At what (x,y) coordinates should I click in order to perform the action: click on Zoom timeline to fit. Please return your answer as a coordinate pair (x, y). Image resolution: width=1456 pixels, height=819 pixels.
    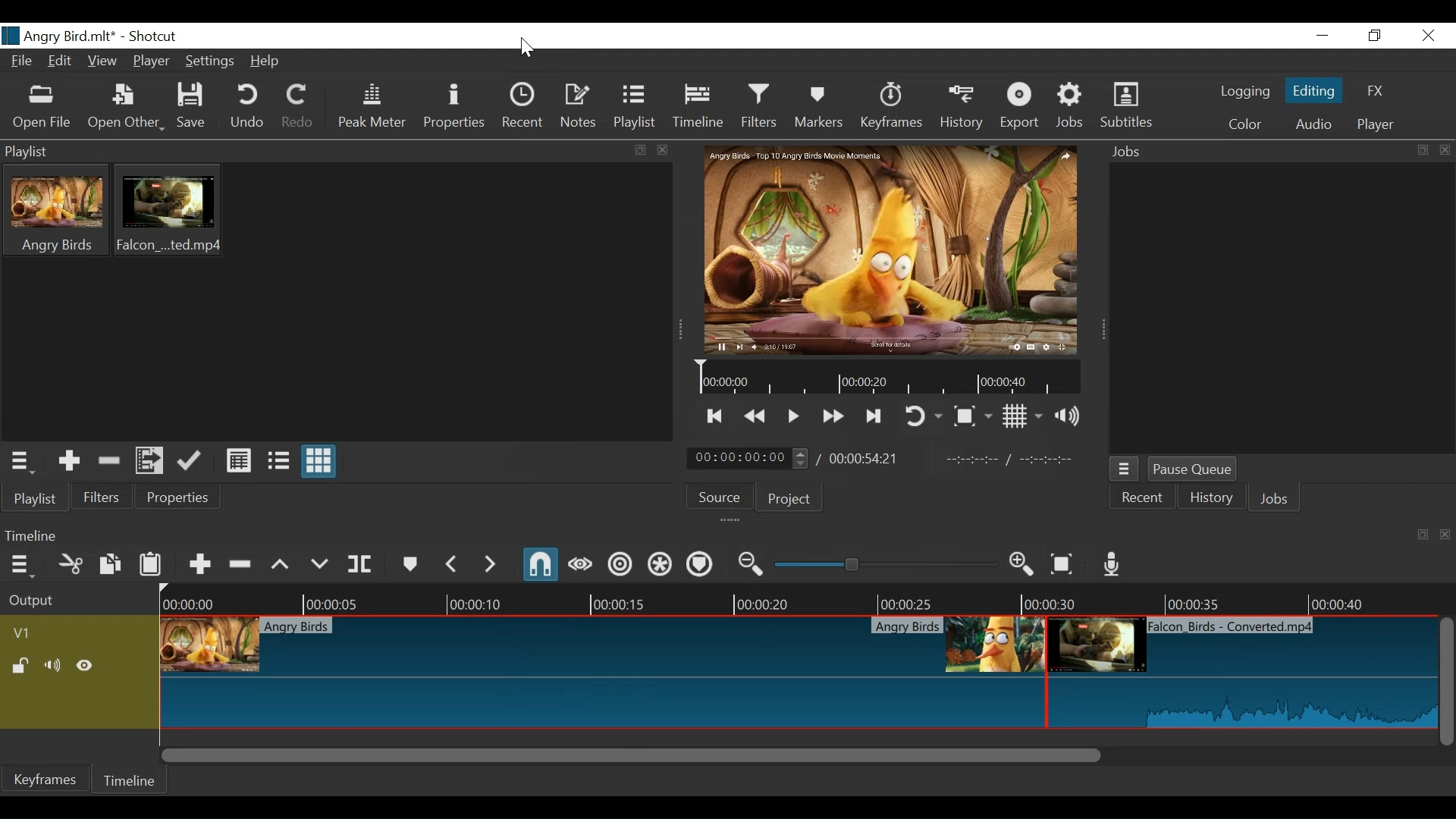
    Looking at the image, I should click on (1063, 564).